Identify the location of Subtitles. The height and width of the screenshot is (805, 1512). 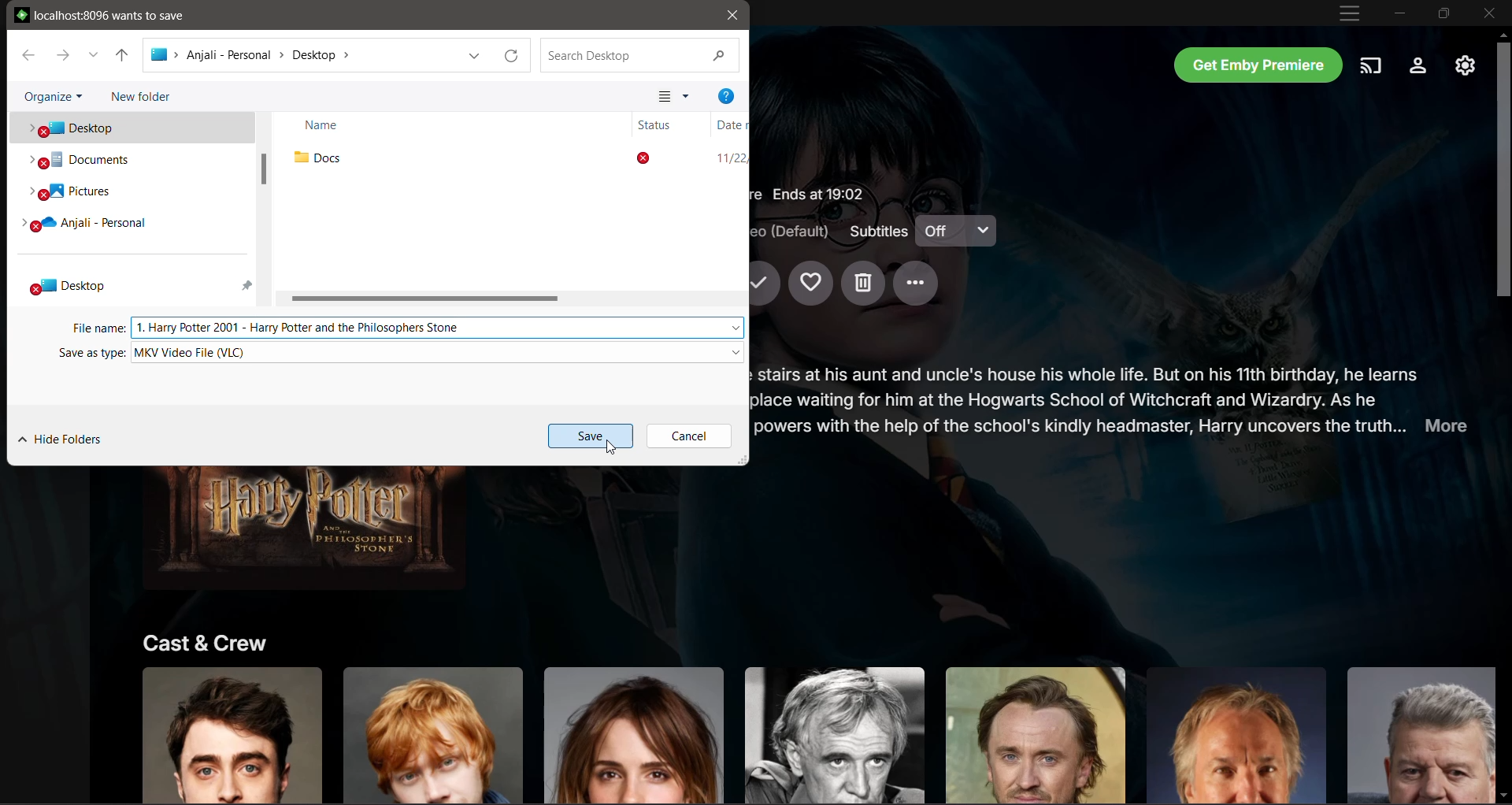
(876, 231).